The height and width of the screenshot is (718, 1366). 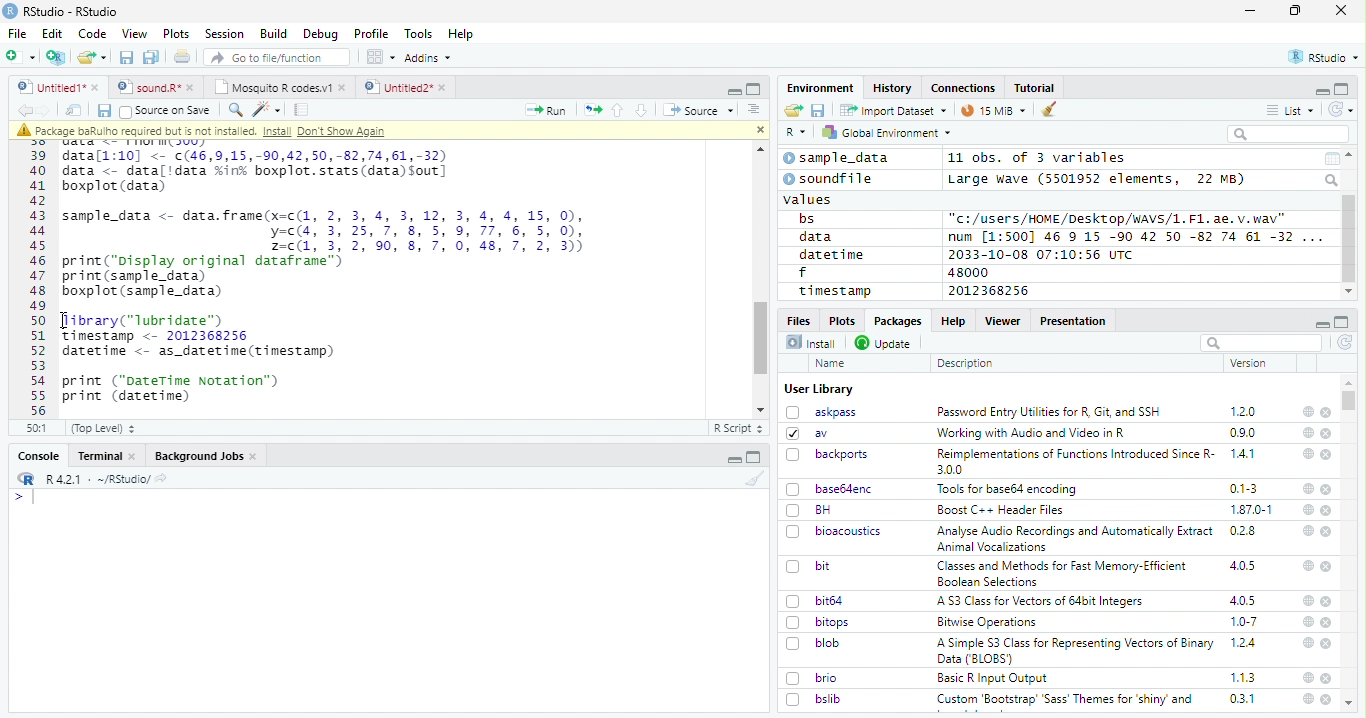 What do you see at coordinates (1346, 344) in the screenshot?
I see `Refresh` at bounding box center [1346, 344].